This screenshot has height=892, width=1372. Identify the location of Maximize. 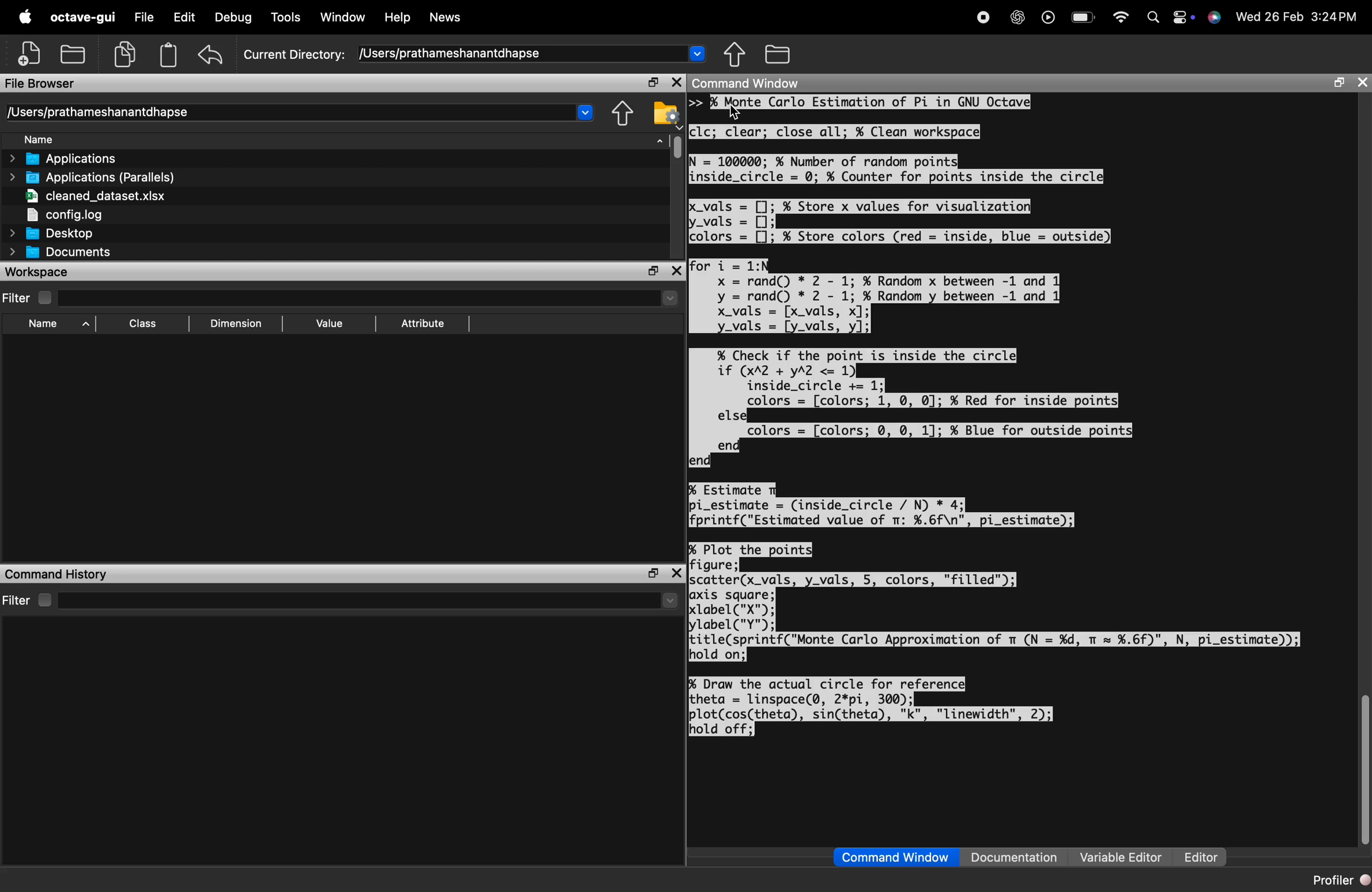
(652, 272).